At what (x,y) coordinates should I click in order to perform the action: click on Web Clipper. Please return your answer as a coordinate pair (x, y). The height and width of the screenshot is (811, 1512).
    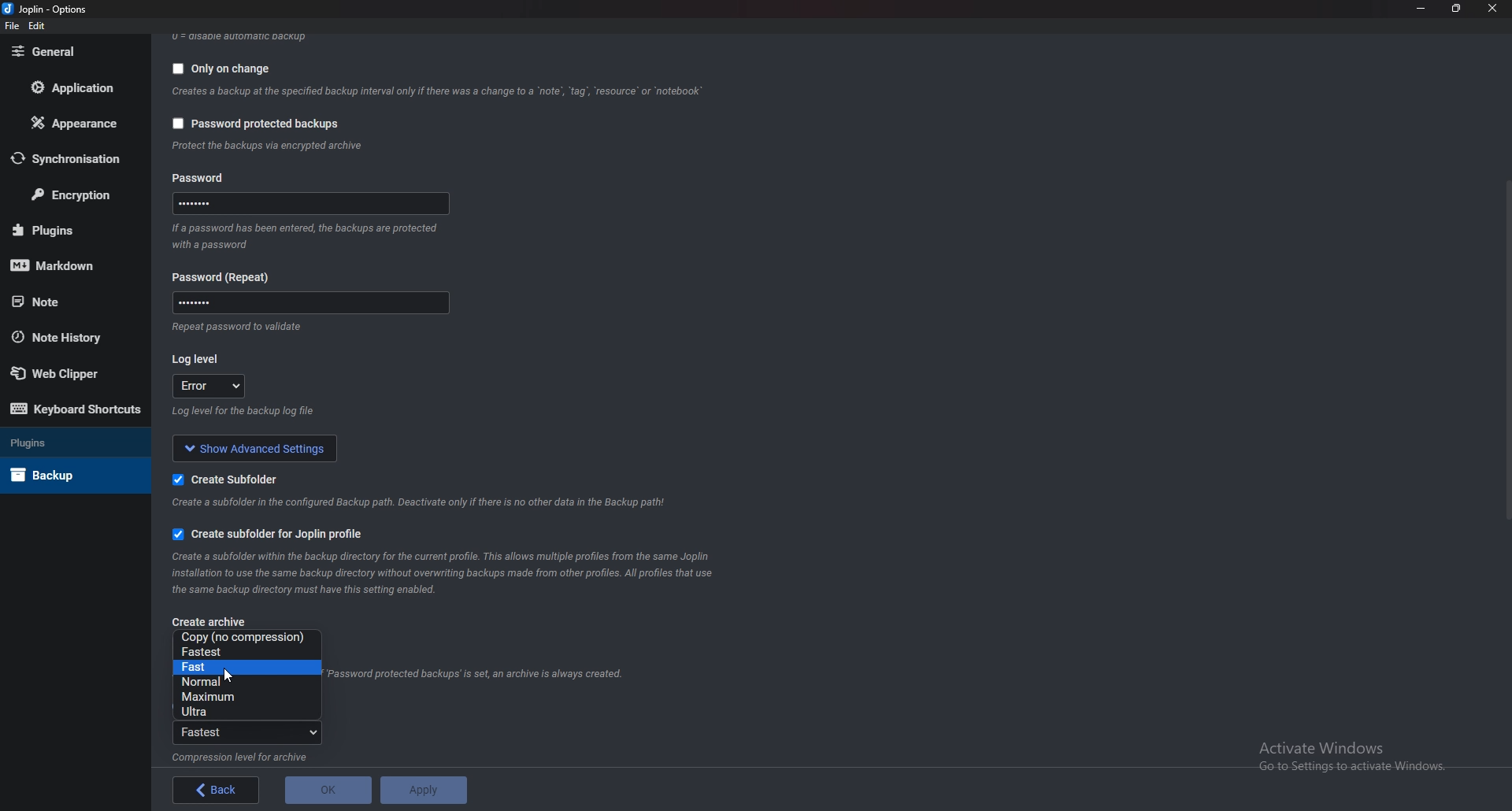
    Looking at the image, I should click on (61, 374).